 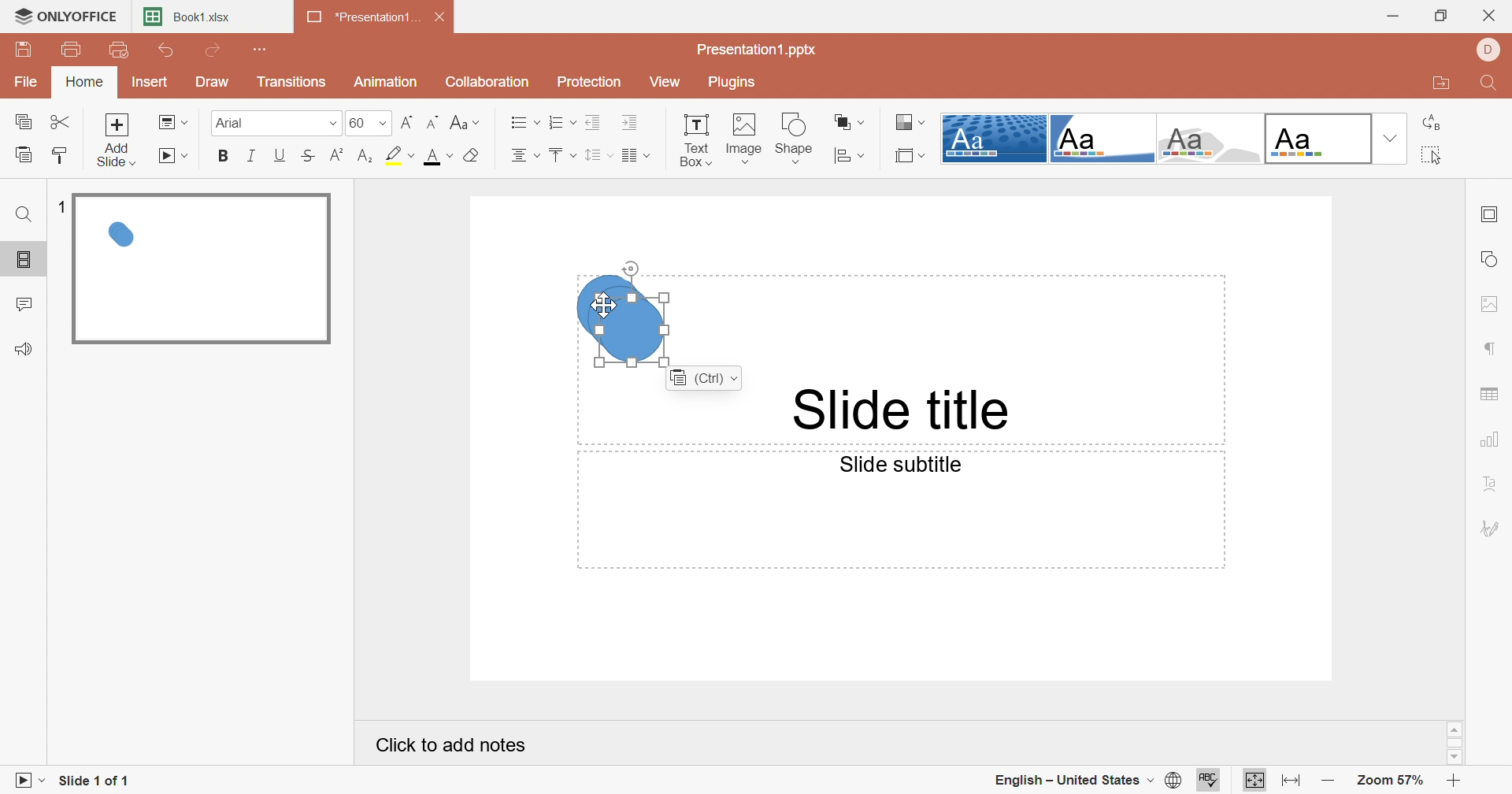 What do you see at coordinates (1492, 83) in the screenshot?
I see `Find` at bounding box center [1492, 83].